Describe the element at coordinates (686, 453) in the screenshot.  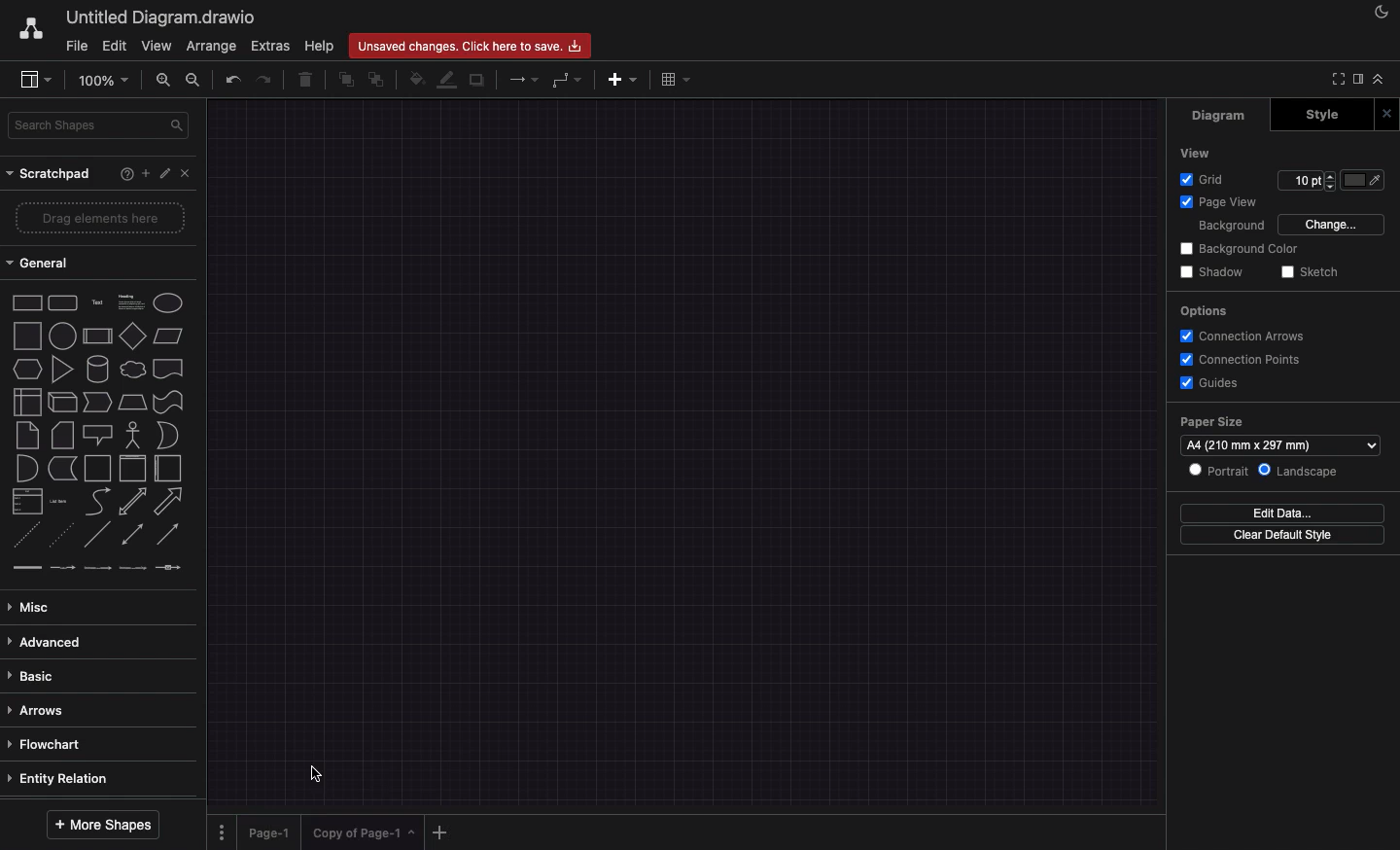
I see `canvas` at that location.